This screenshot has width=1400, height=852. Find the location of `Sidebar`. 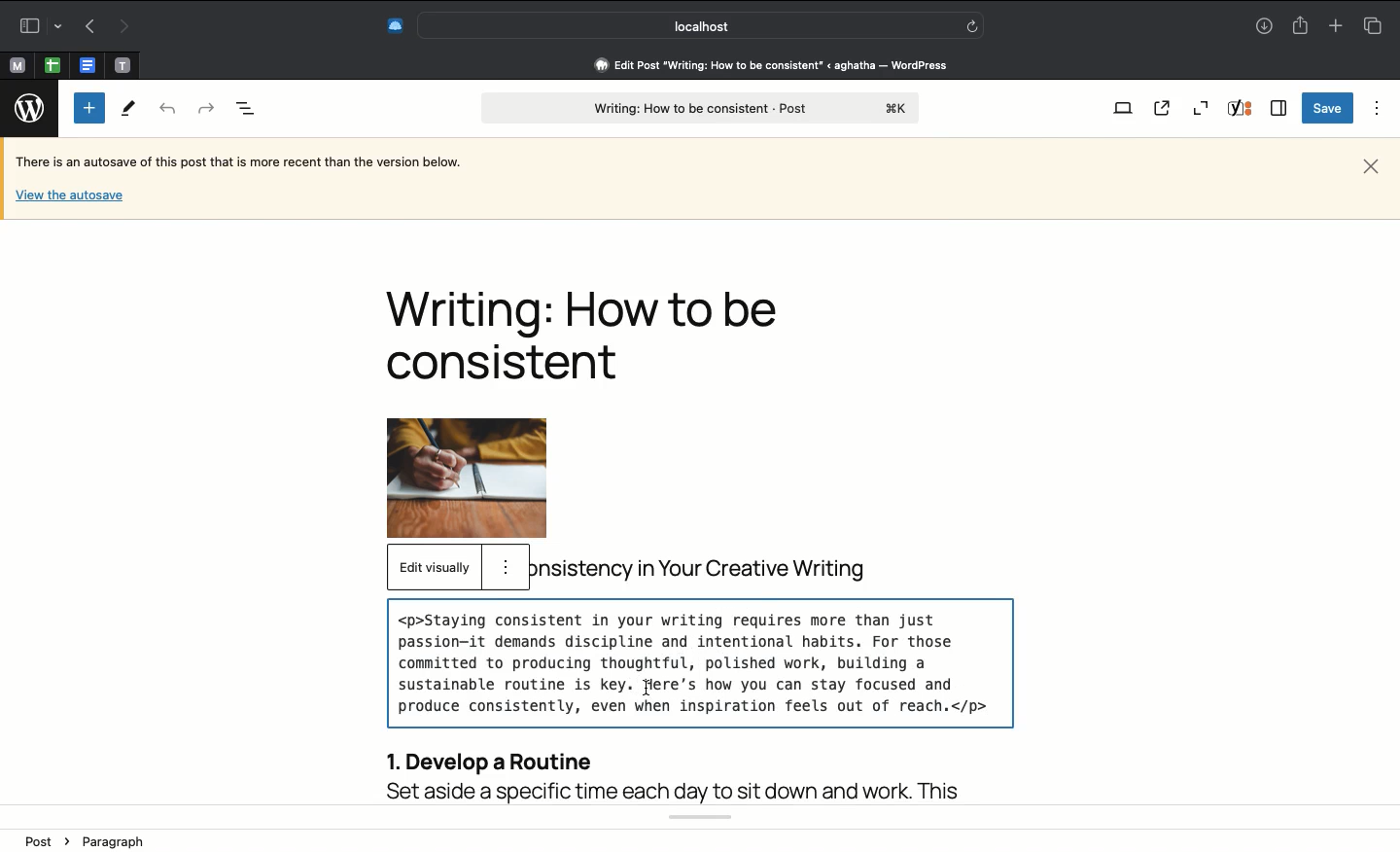

Sidebar is located at coordinates (38, 23).